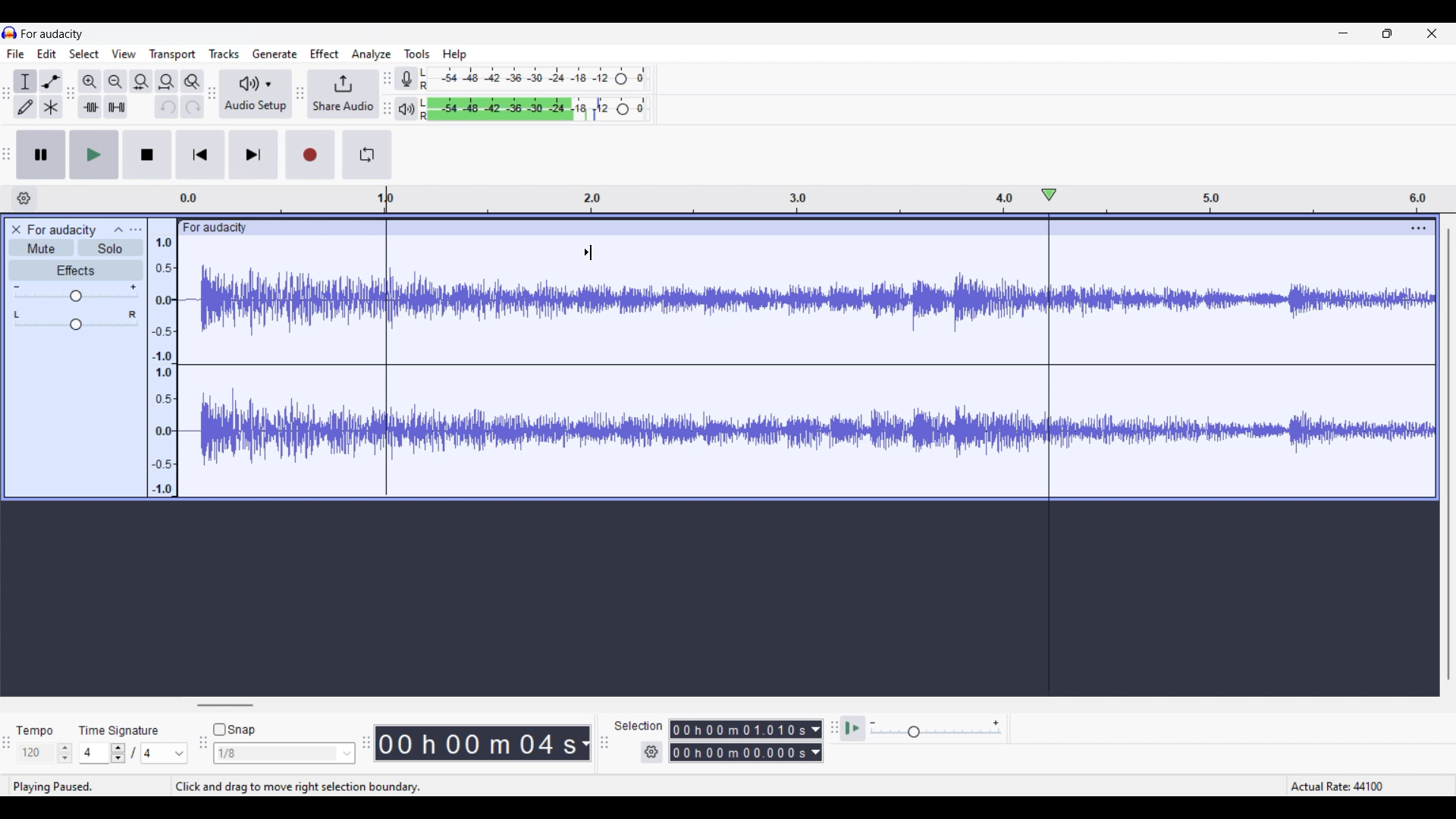 Image resolution: width=1456 pixels, height=819 pixels. Describe the element at coordinates (90, 107) in the screenshot. I see `Trim audio outside selection` at that location.